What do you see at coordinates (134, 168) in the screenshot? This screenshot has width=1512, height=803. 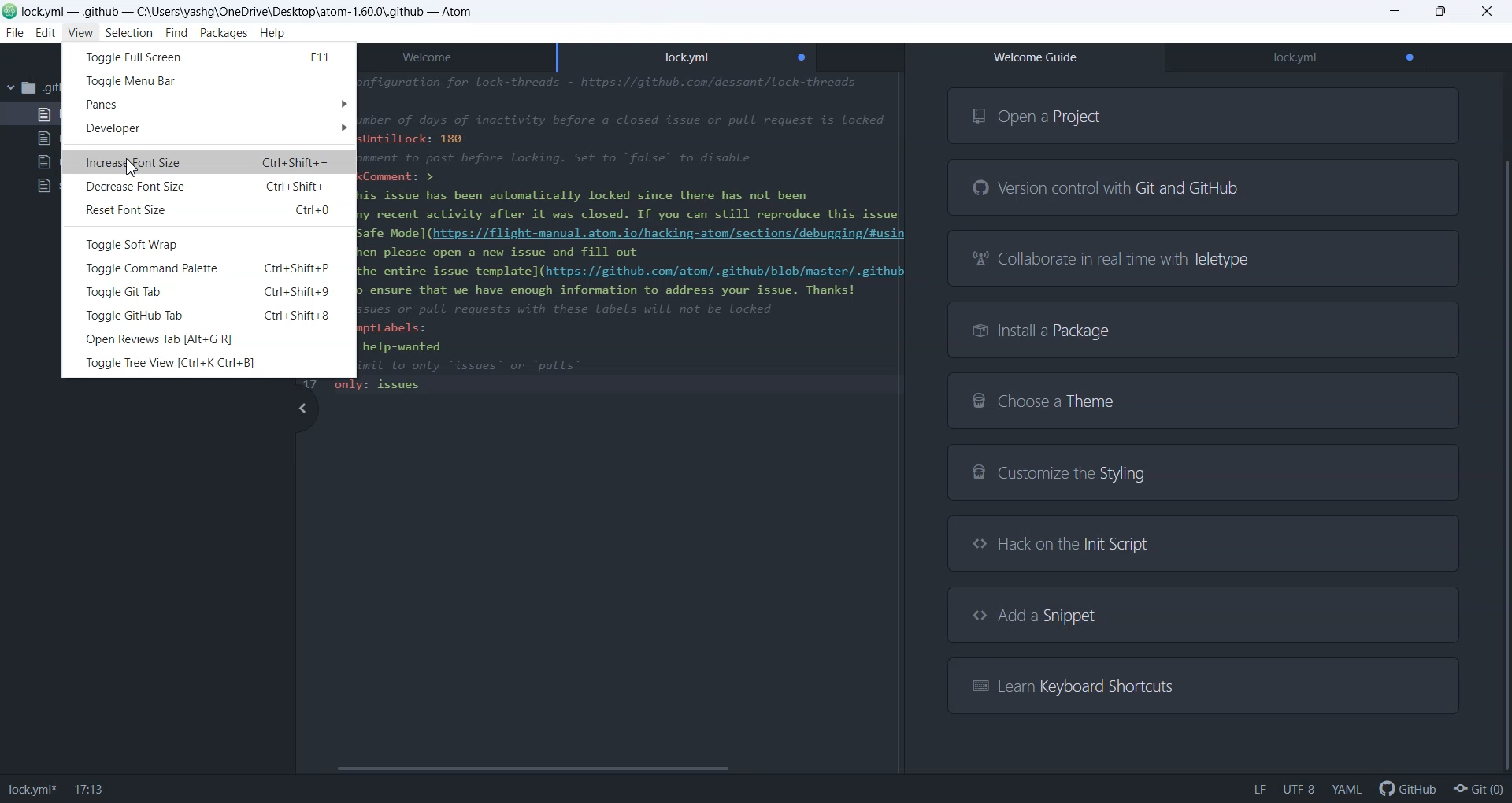 I see `Cursor` at bounding box center [134, 168].